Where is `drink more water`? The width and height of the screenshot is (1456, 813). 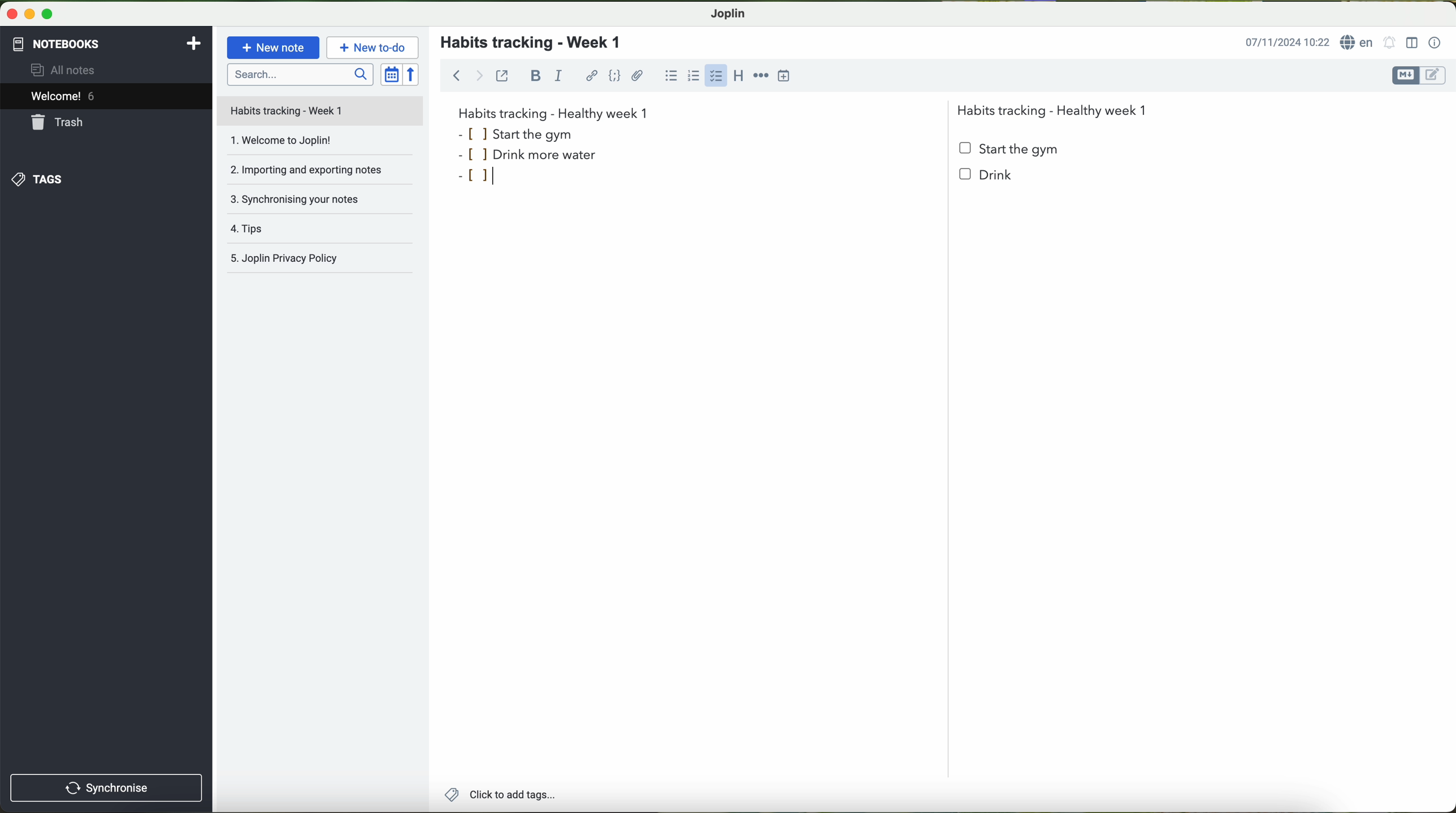
drink more water is located at coordinates (540, 155).